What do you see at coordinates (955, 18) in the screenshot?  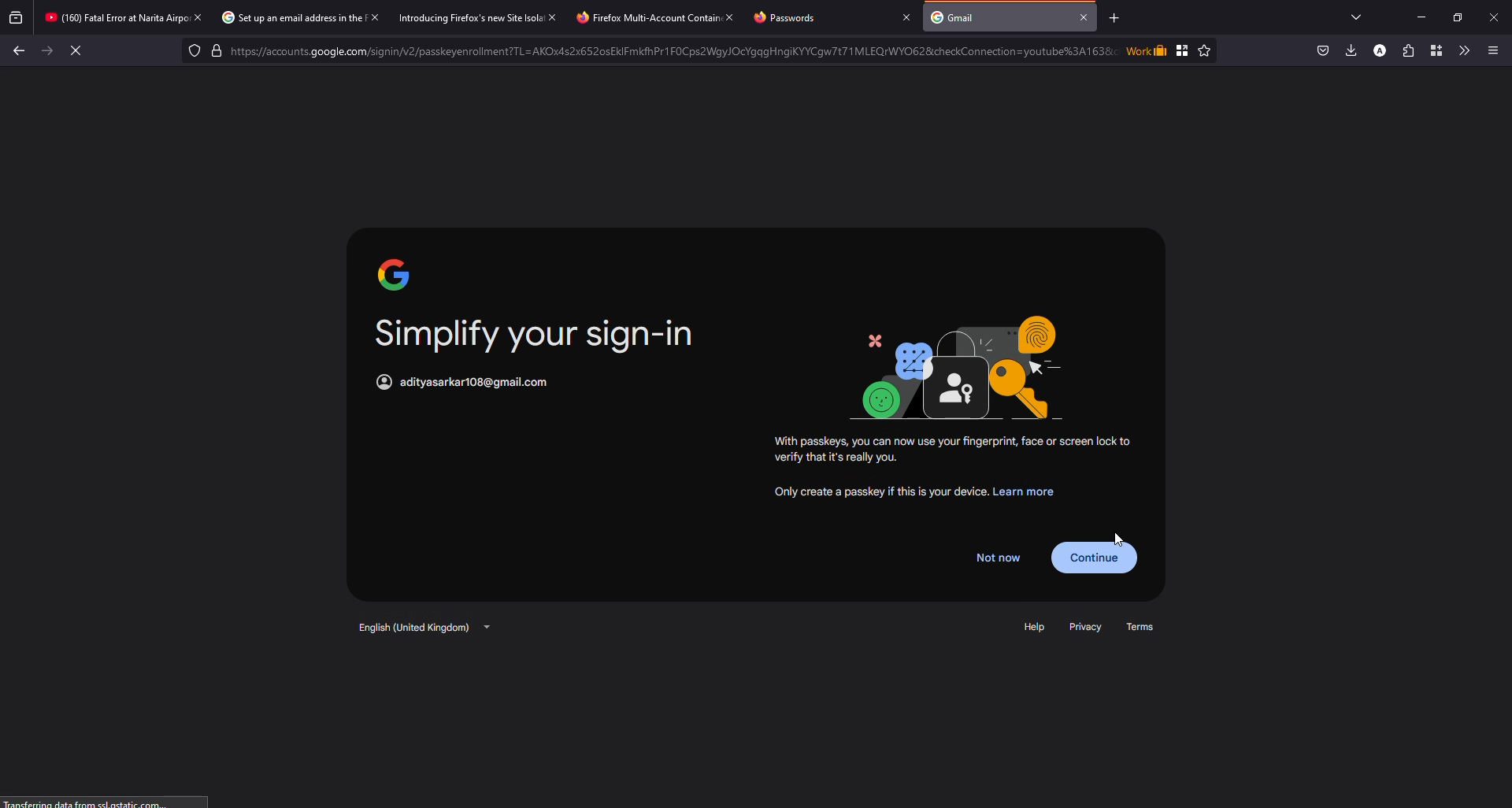 I see `Gmail` at bounding box center [955, 18].